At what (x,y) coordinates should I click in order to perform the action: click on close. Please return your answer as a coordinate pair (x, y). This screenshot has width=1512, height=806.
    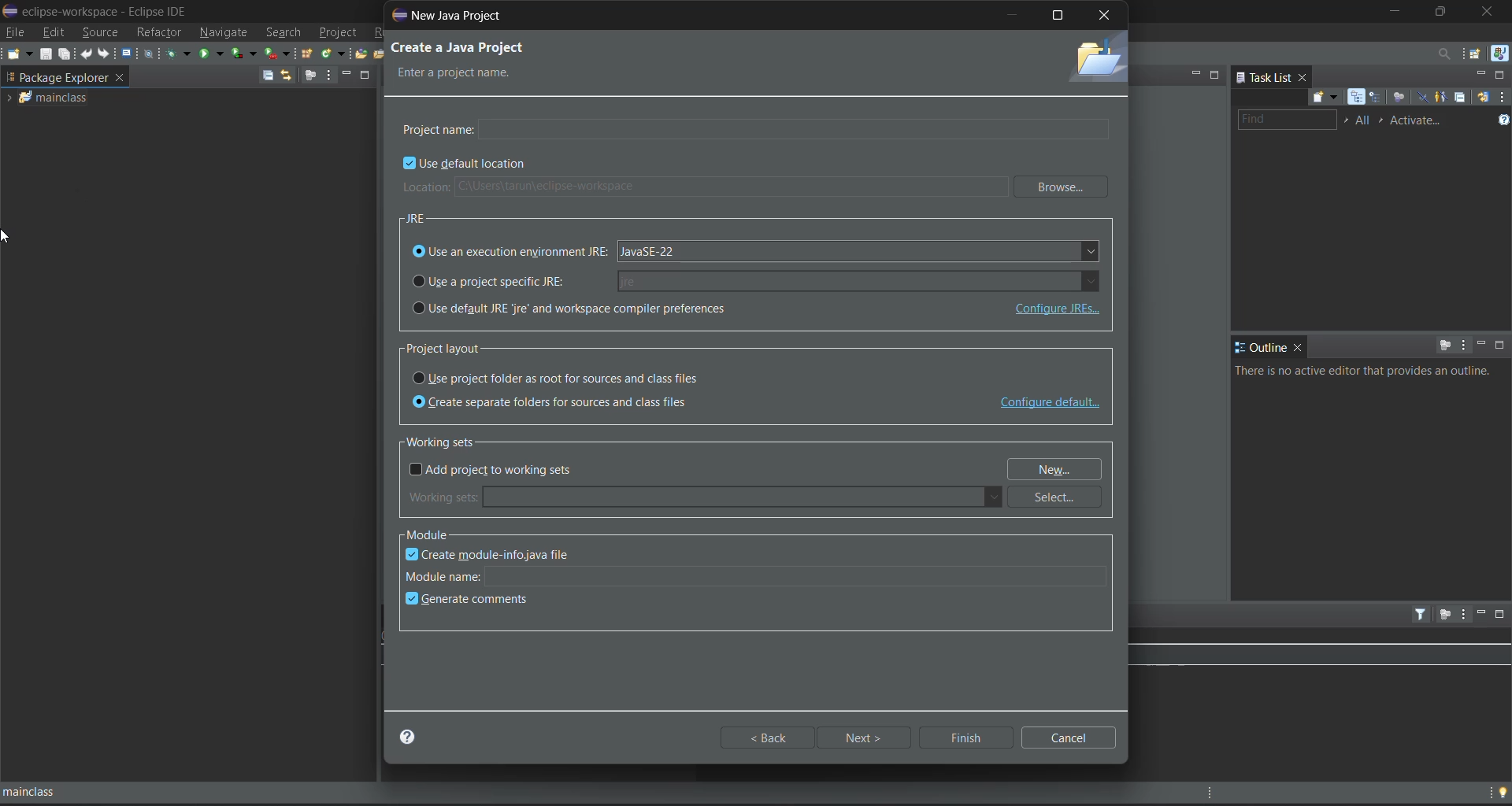
    Looking at the image, I should click on (1104, 17).